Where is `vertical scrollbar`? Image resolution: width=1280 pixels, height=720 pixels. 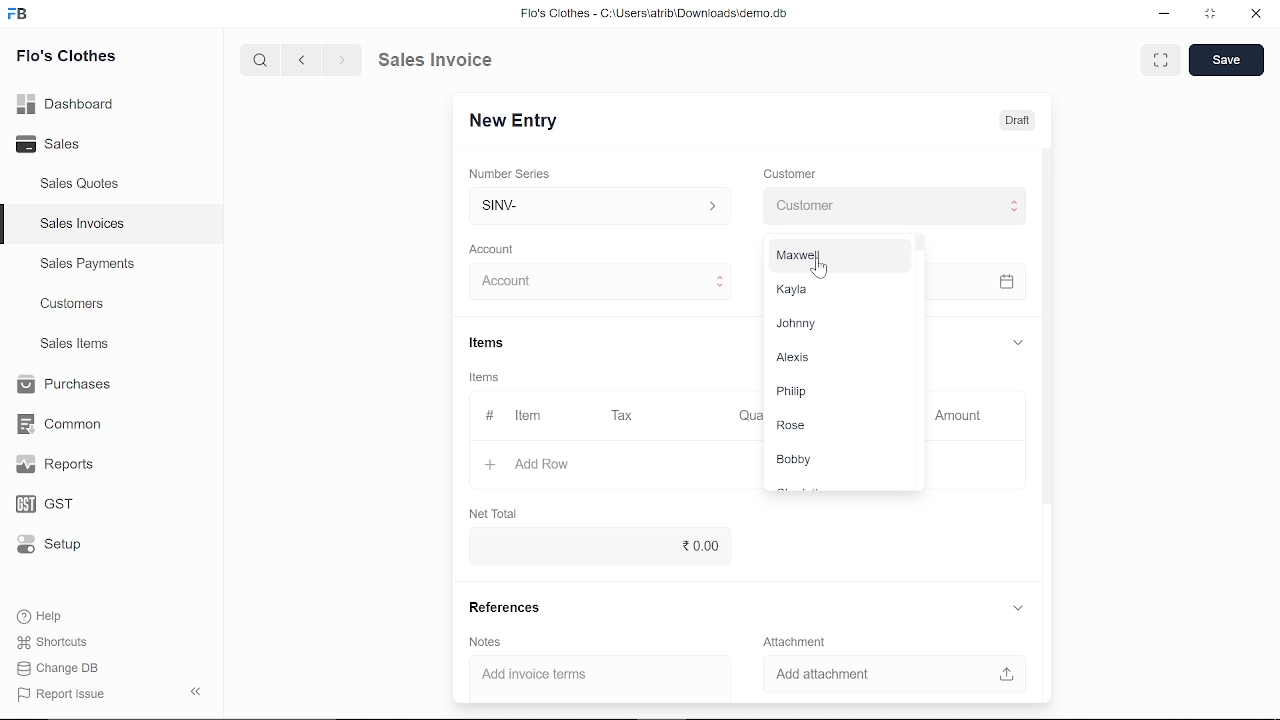
vertical scrollbar is located at coordinates (915, 248).